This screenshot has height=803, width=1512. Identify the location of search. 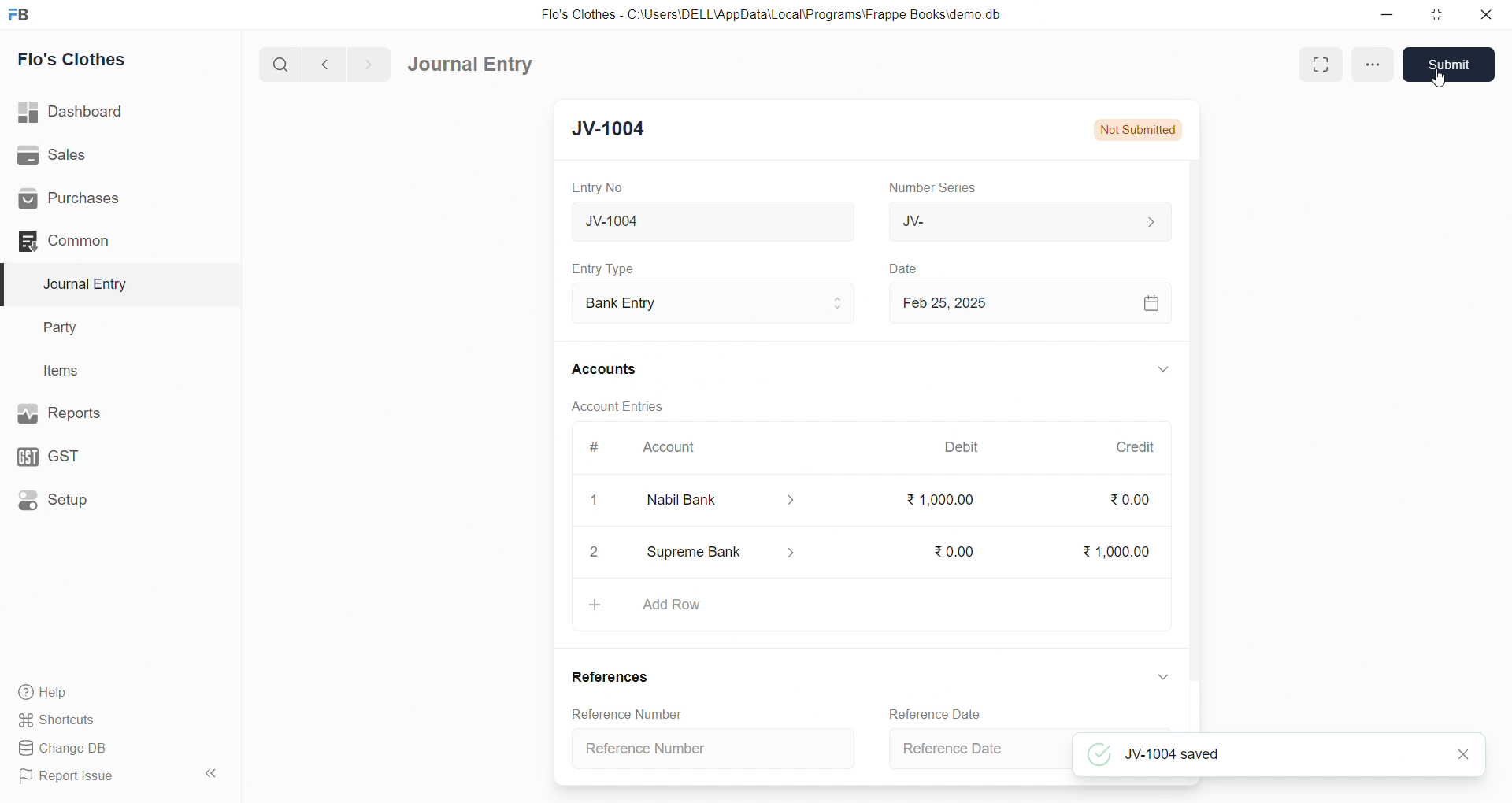
(283, 63).